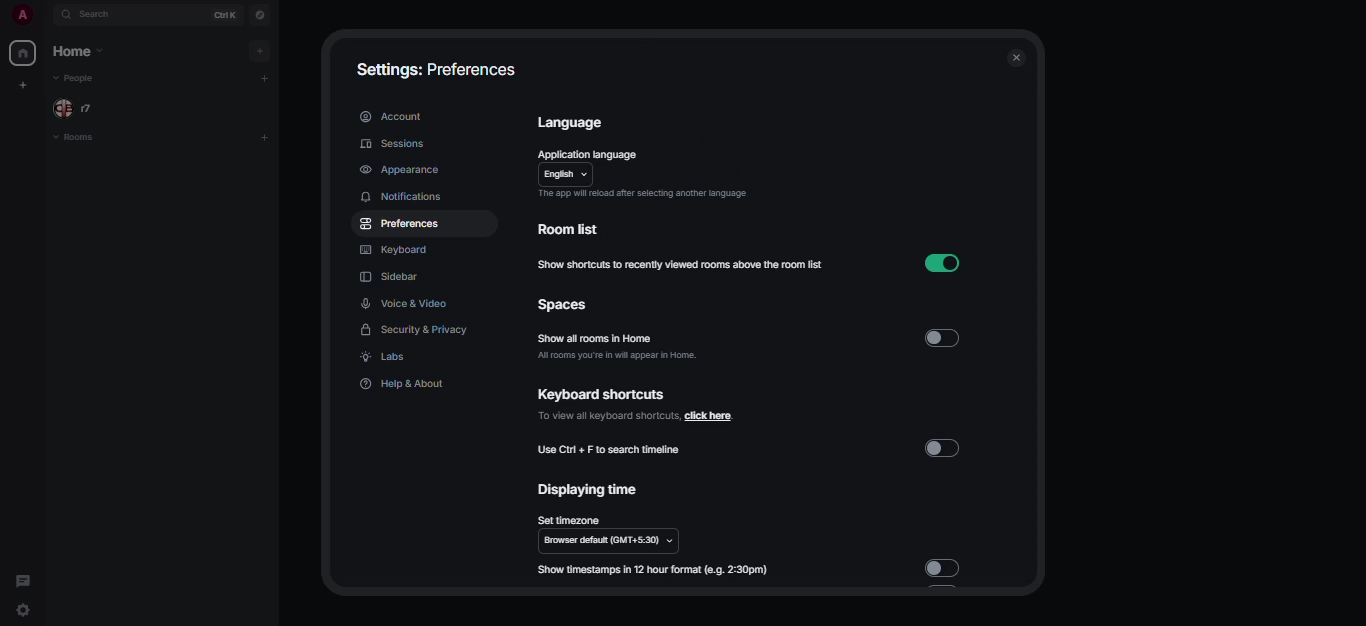  I want to click on app will reload, so click(644, 194).